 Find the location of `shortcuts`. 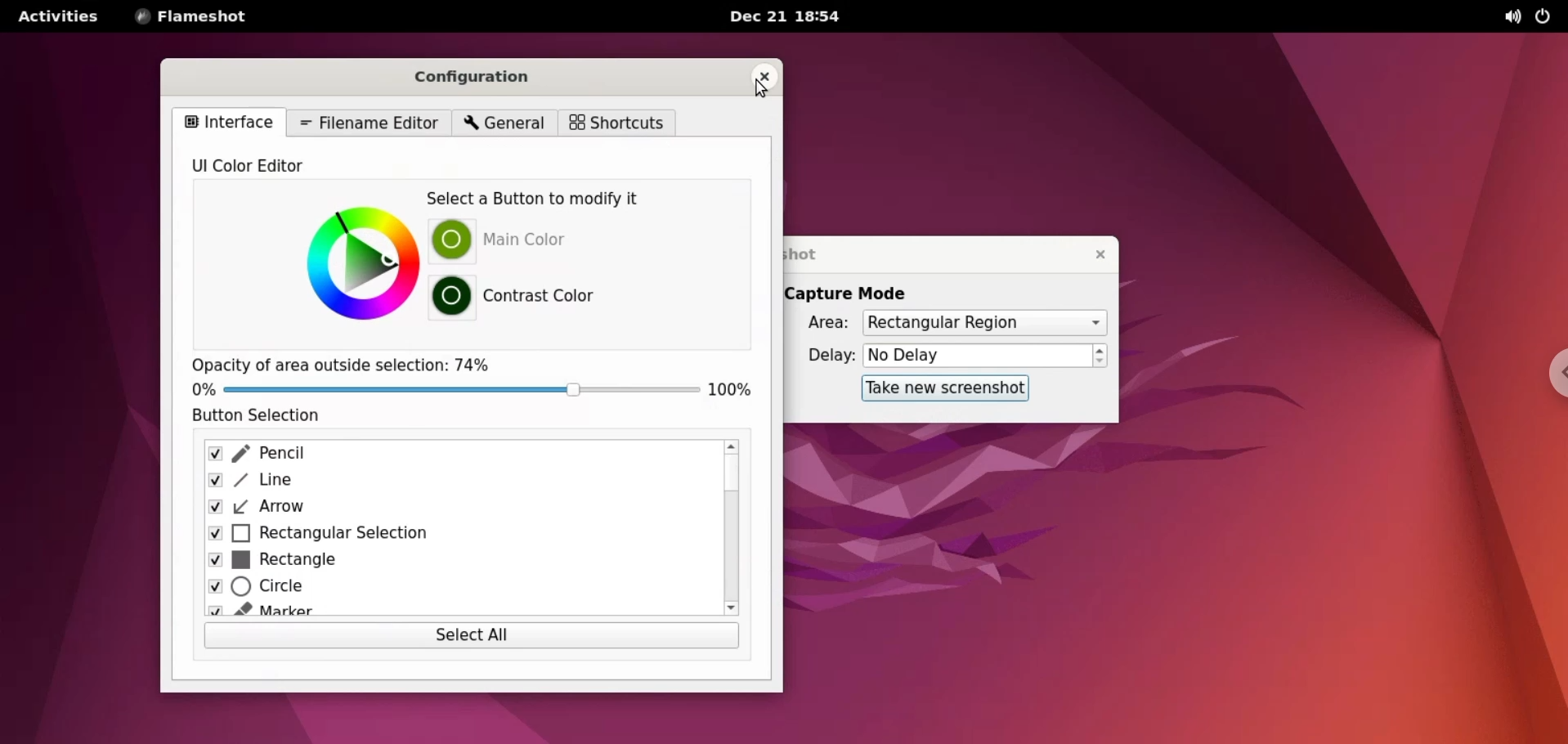

shortcuts is located at coordinates (617, 123).